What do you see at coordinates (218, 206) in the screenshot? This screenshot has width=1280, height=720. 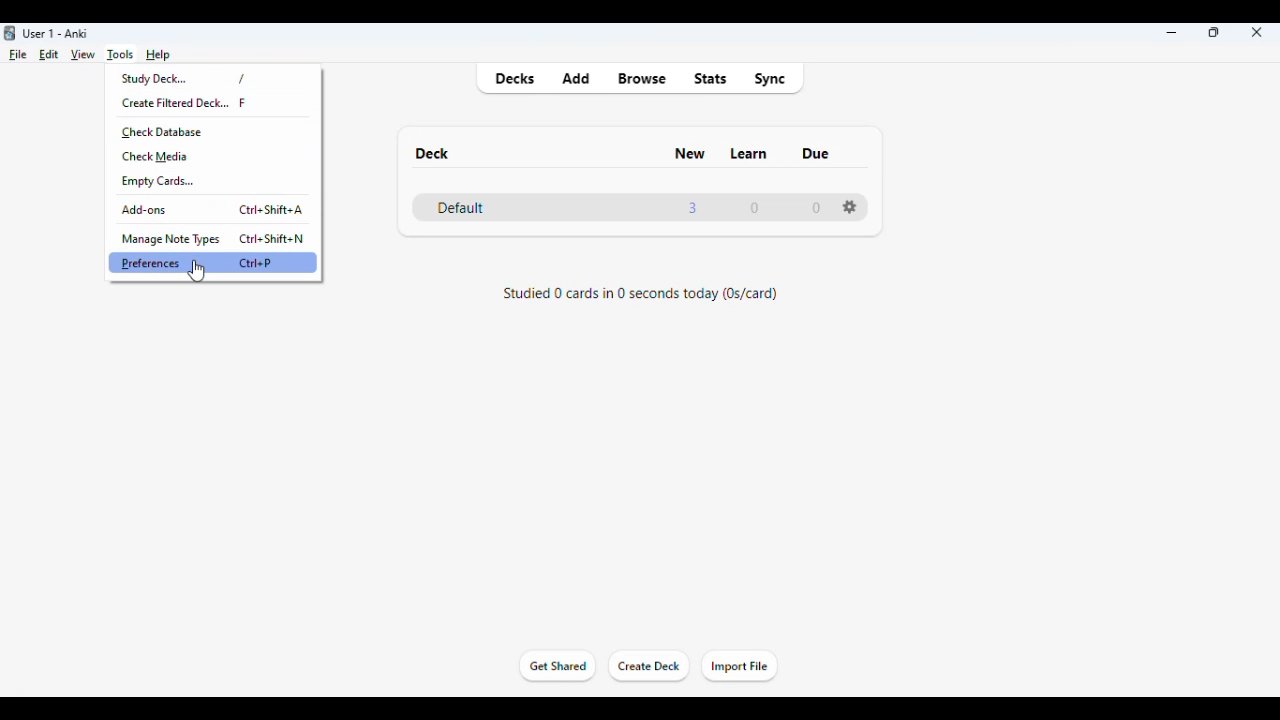 I see `Add-ons Ctrl+Shift+A` at bounding box center [218, 206].